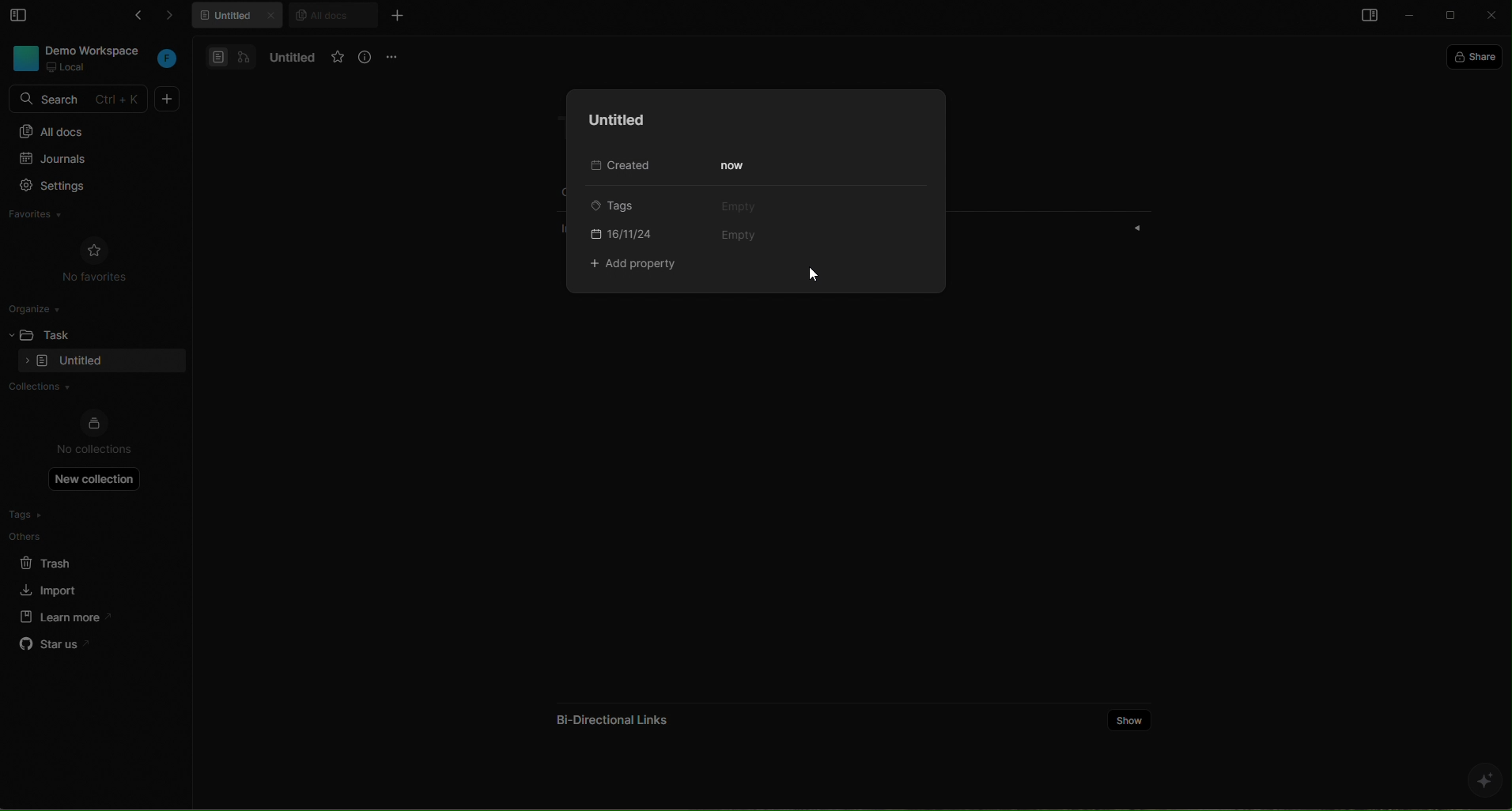  I want to click on tags, so click(620, 205).